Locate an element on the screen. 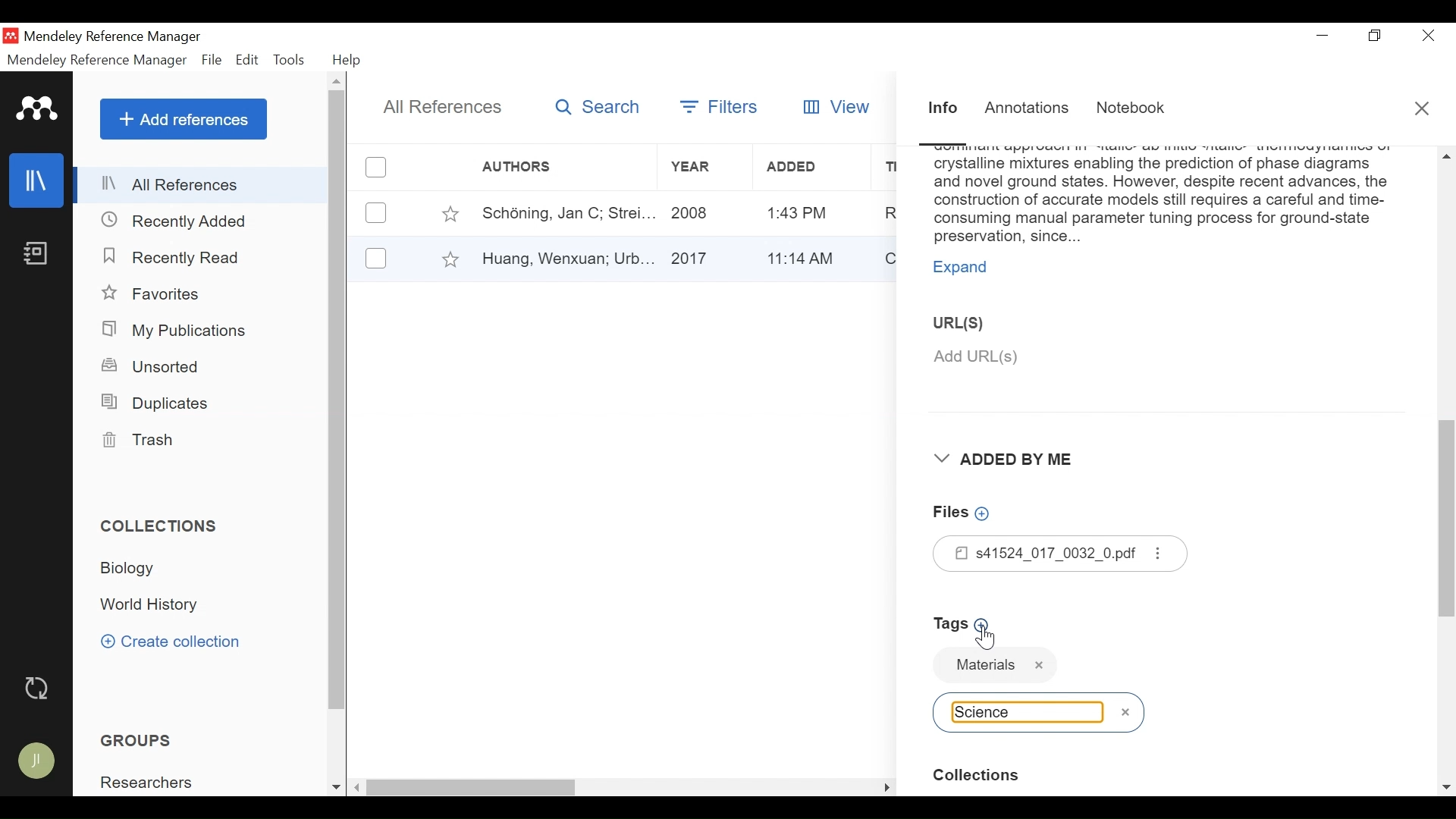 This screenshot has height=819, width=1456. Duplicates is located at coordinates (153, 403).